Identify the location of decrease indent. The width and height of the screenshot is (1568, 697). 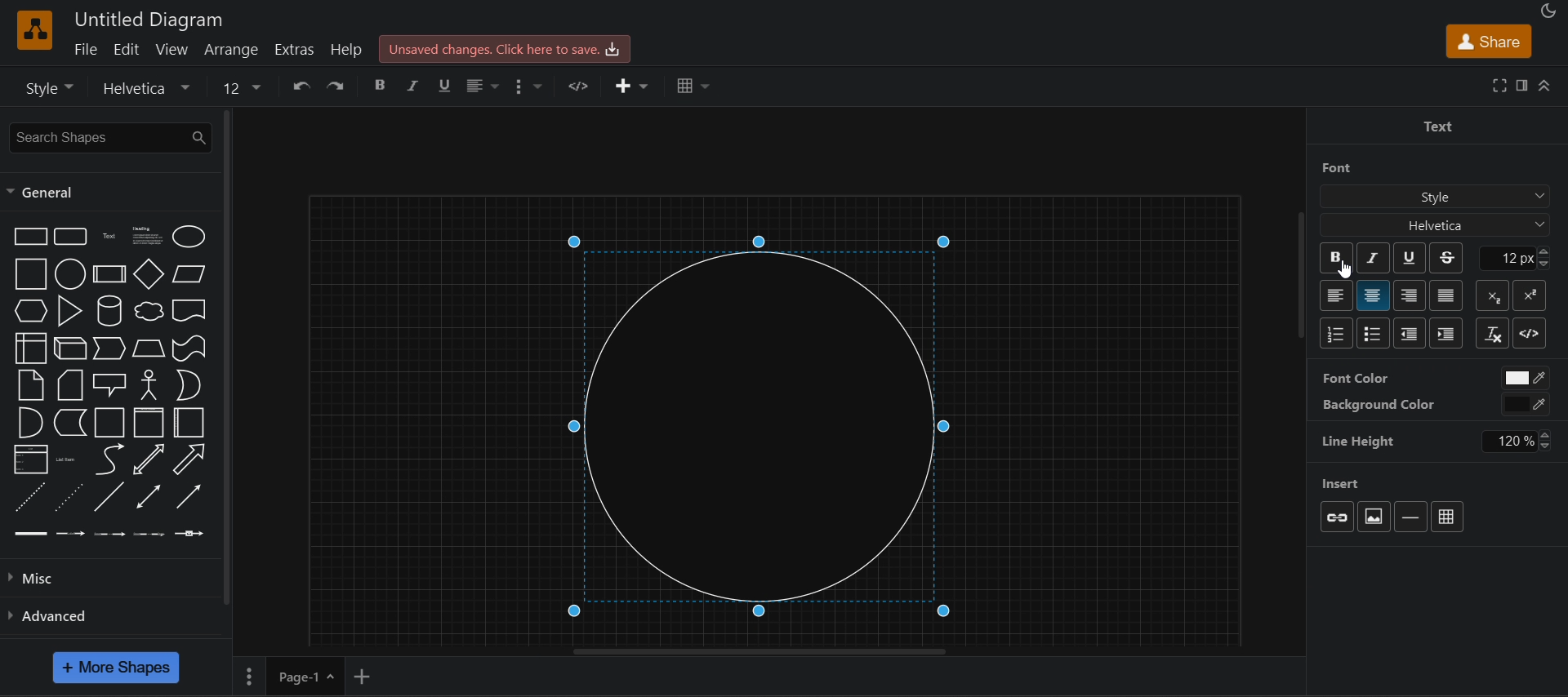
(1407, 335).